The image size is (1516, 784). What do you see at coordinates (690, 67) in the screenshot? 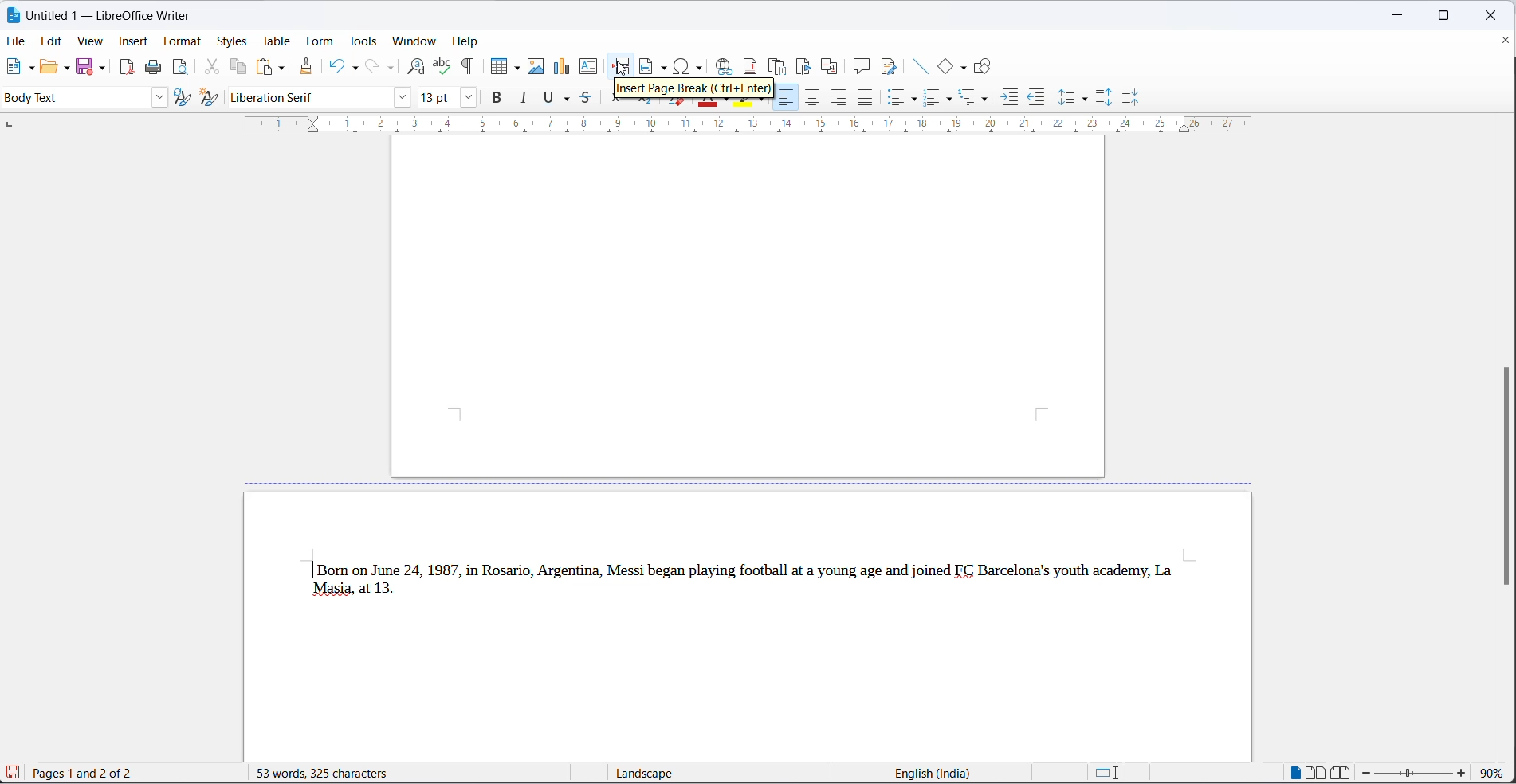
I see `insert hyperlink` at bounding box center [690, 67].